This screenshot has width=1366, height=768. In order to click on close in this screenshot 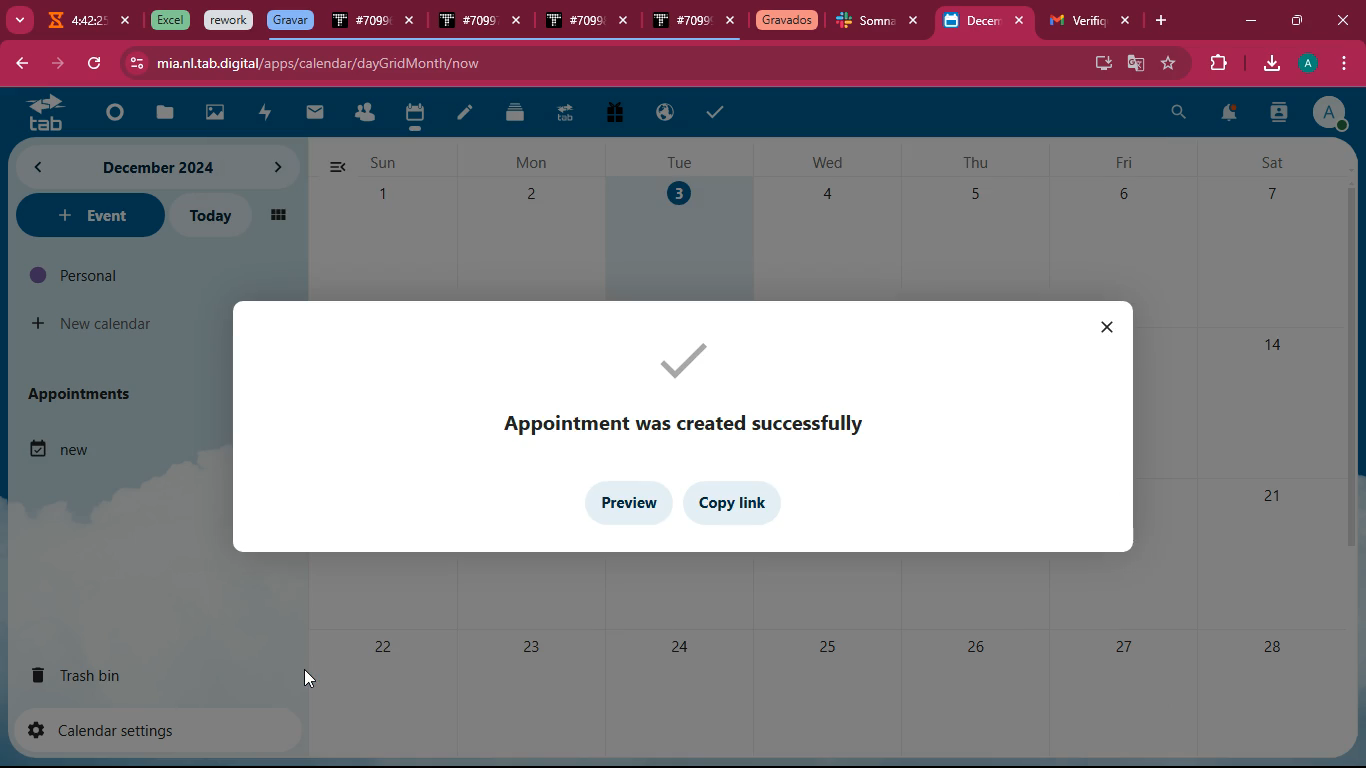, I will do `click(1127, 21)`.